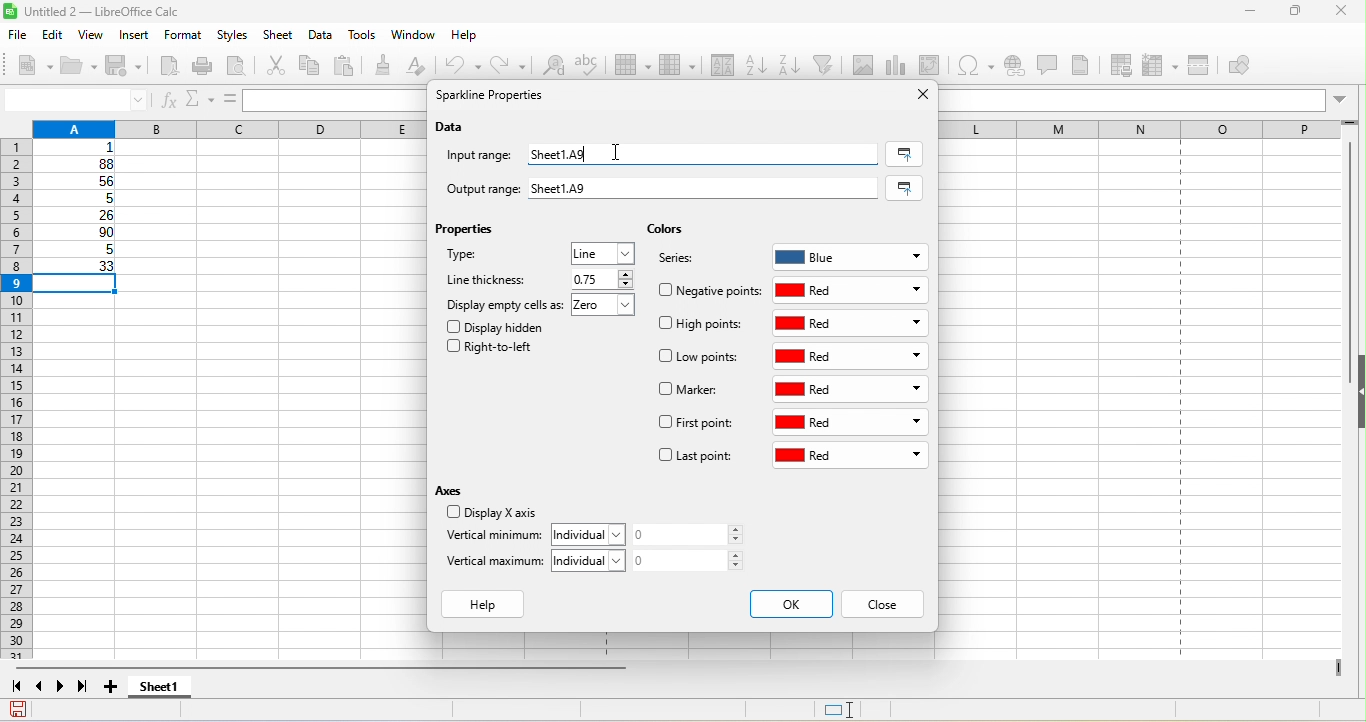 Image resolution: width=1366 pixels, height=722 pixels. What do you see at coordinates (172, 68) in the screenshot?
I see `export directly as pdf` at bounding box center [172, 68].